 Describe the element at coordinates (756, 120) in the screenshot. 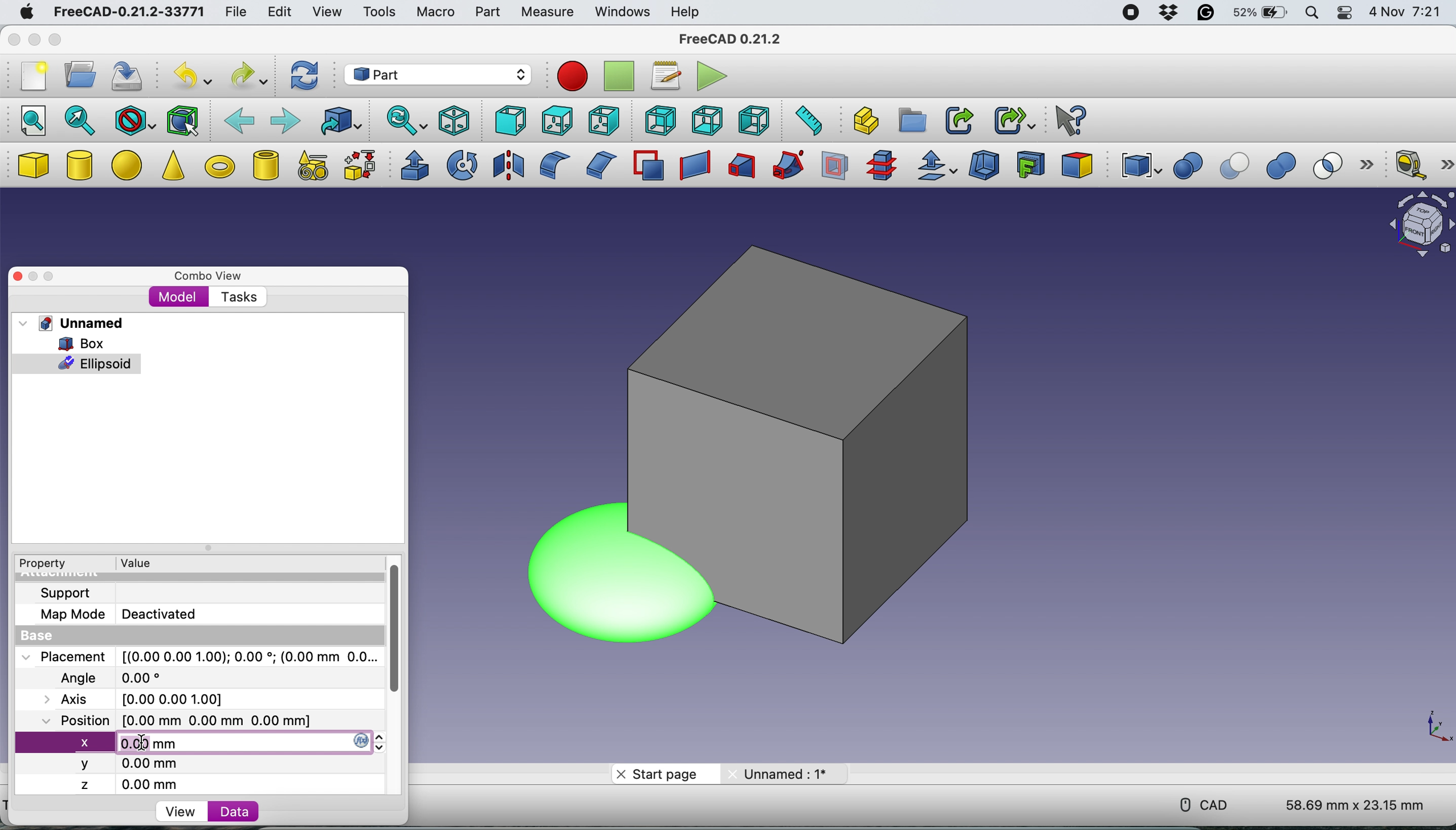

I see `left` at that location.